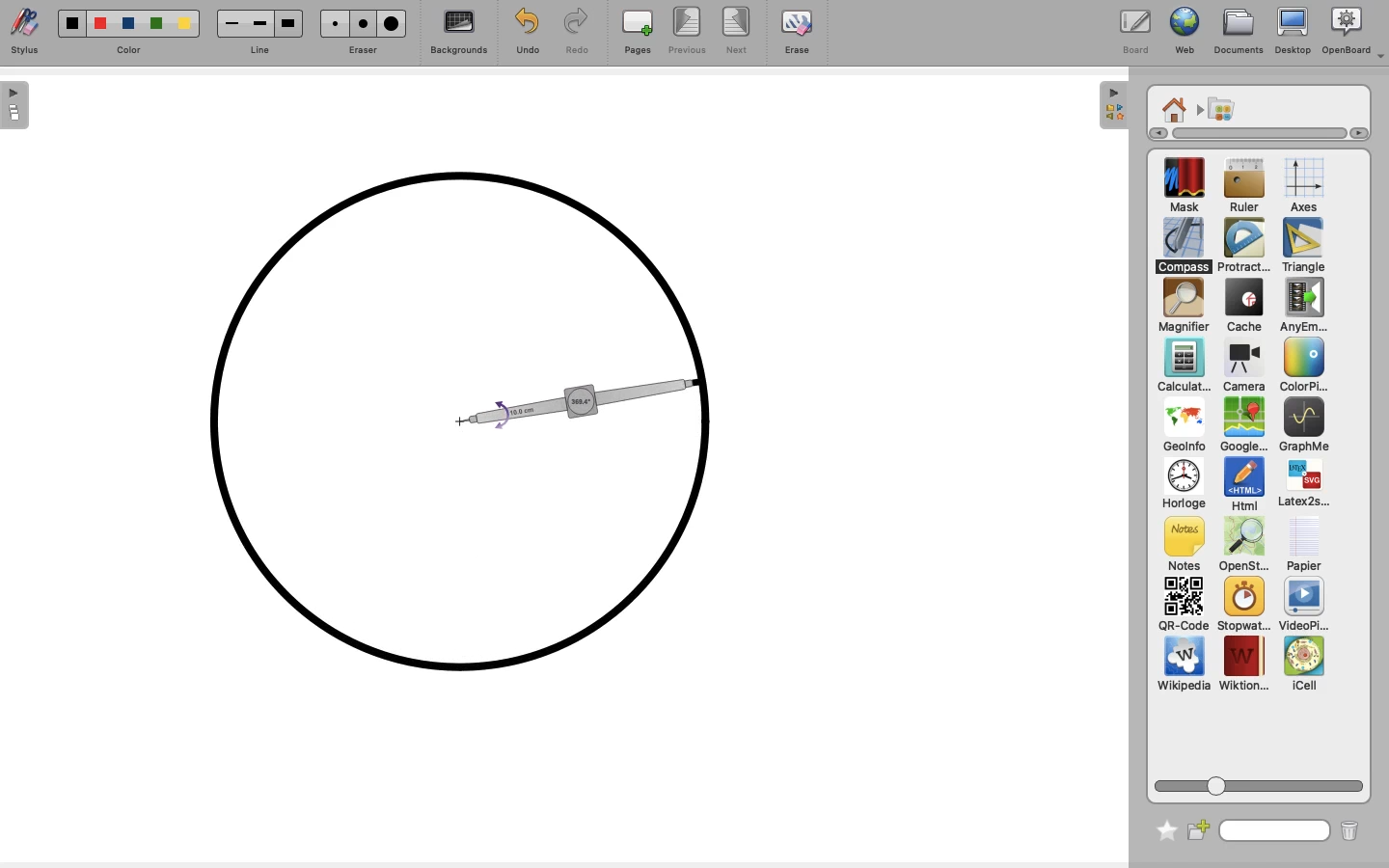 This screenshot has width=1389, height=868. What do you see at coordinates (739, 32) in the screenshot?
I see `Next` at bounding box center [739, 32].